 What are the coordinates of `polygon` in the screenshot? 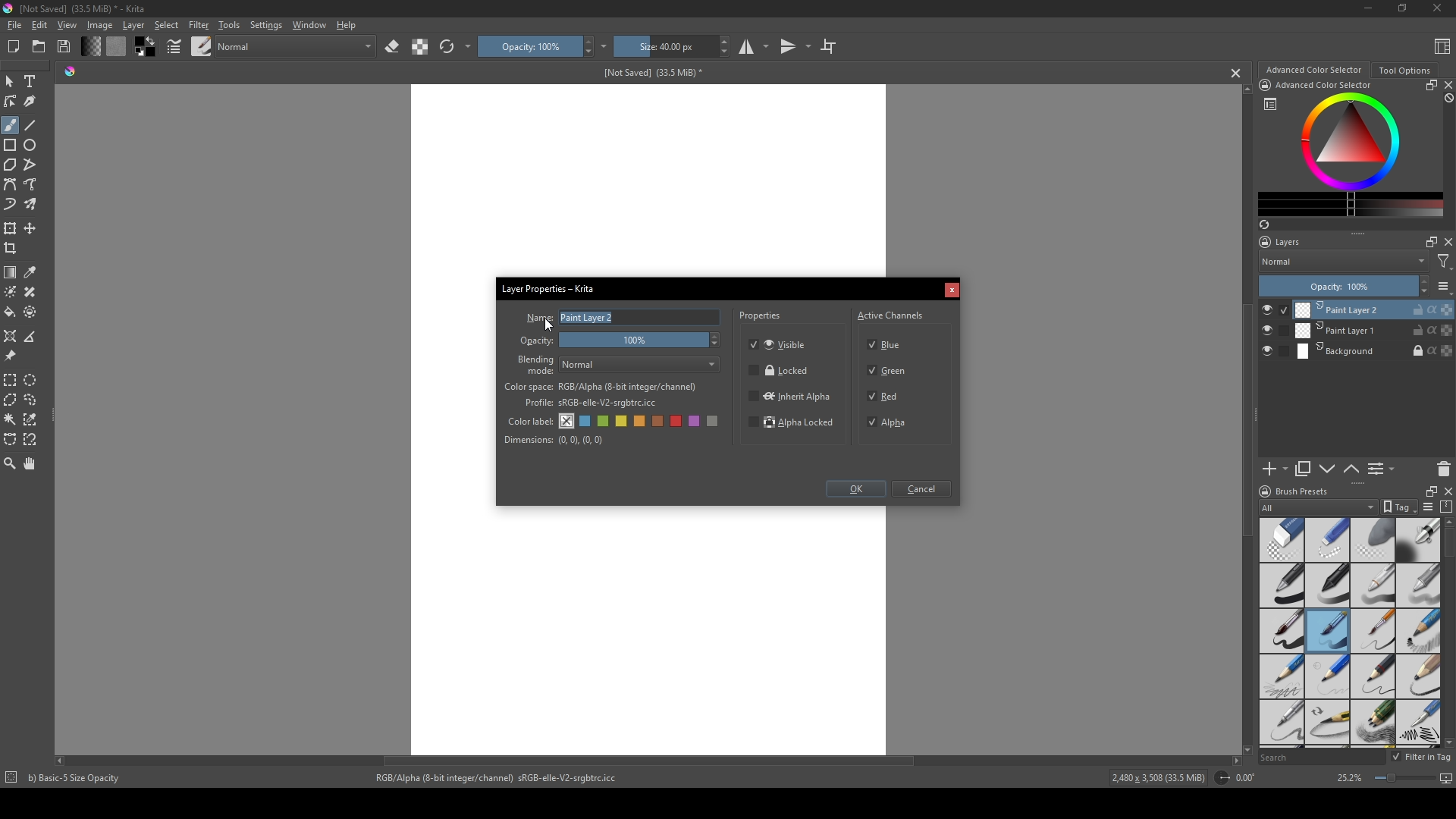 It's located at (10, 165).